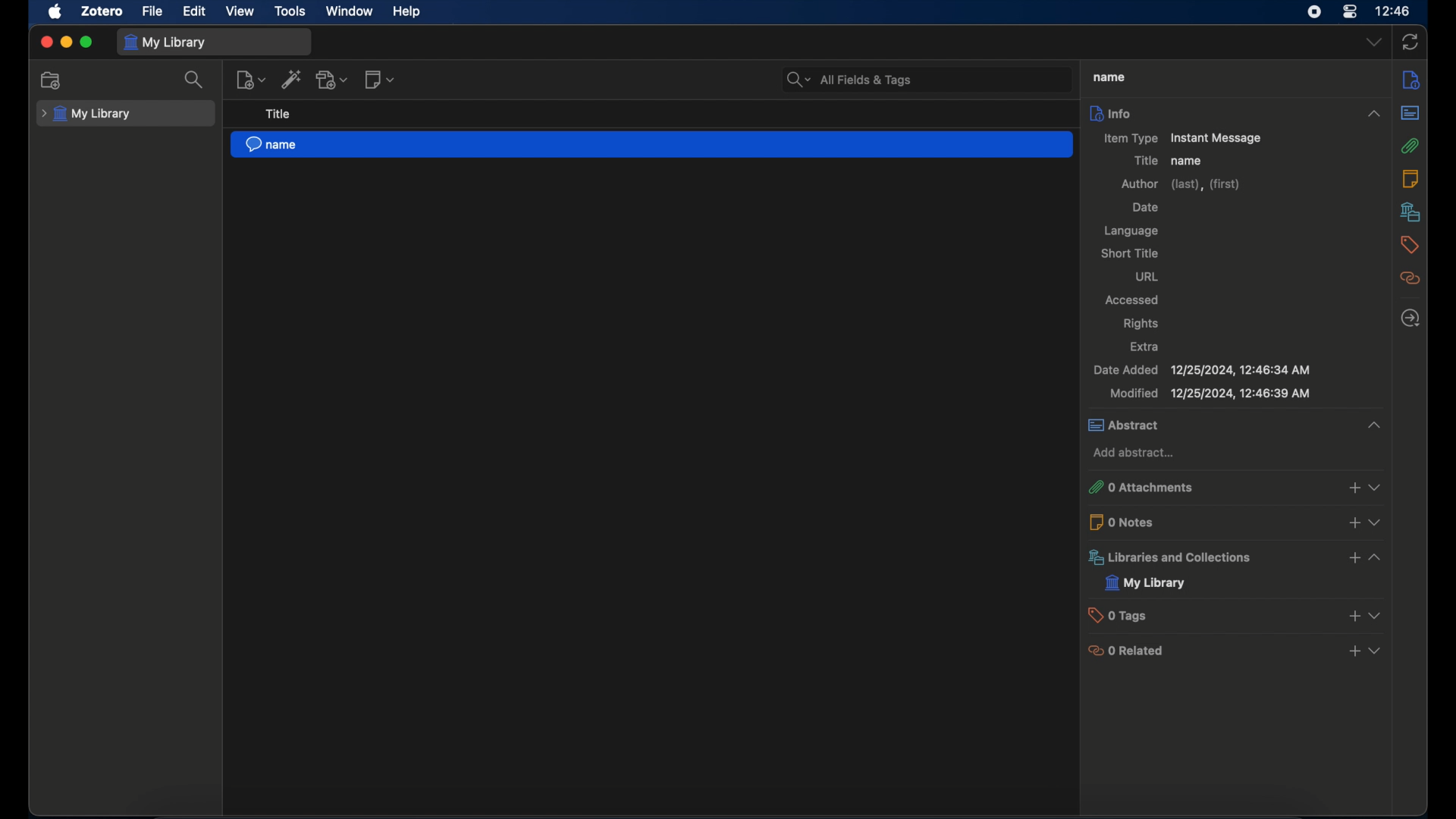  Describe the element at coordinates (1392, 11) in the screenshot. I see `time` at that location.